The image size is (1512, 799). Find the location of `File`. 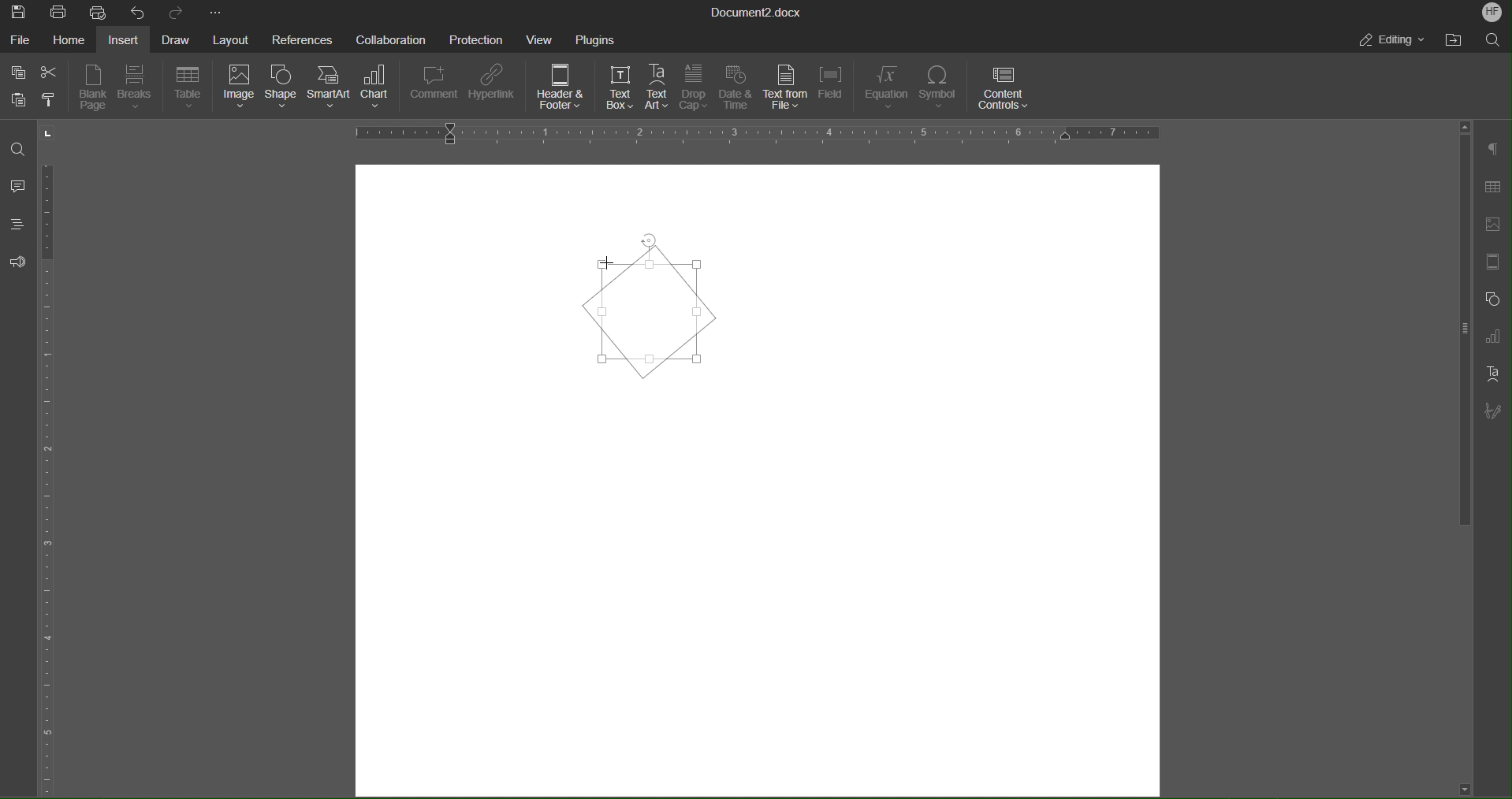

File is located at coordinates (20, 38).